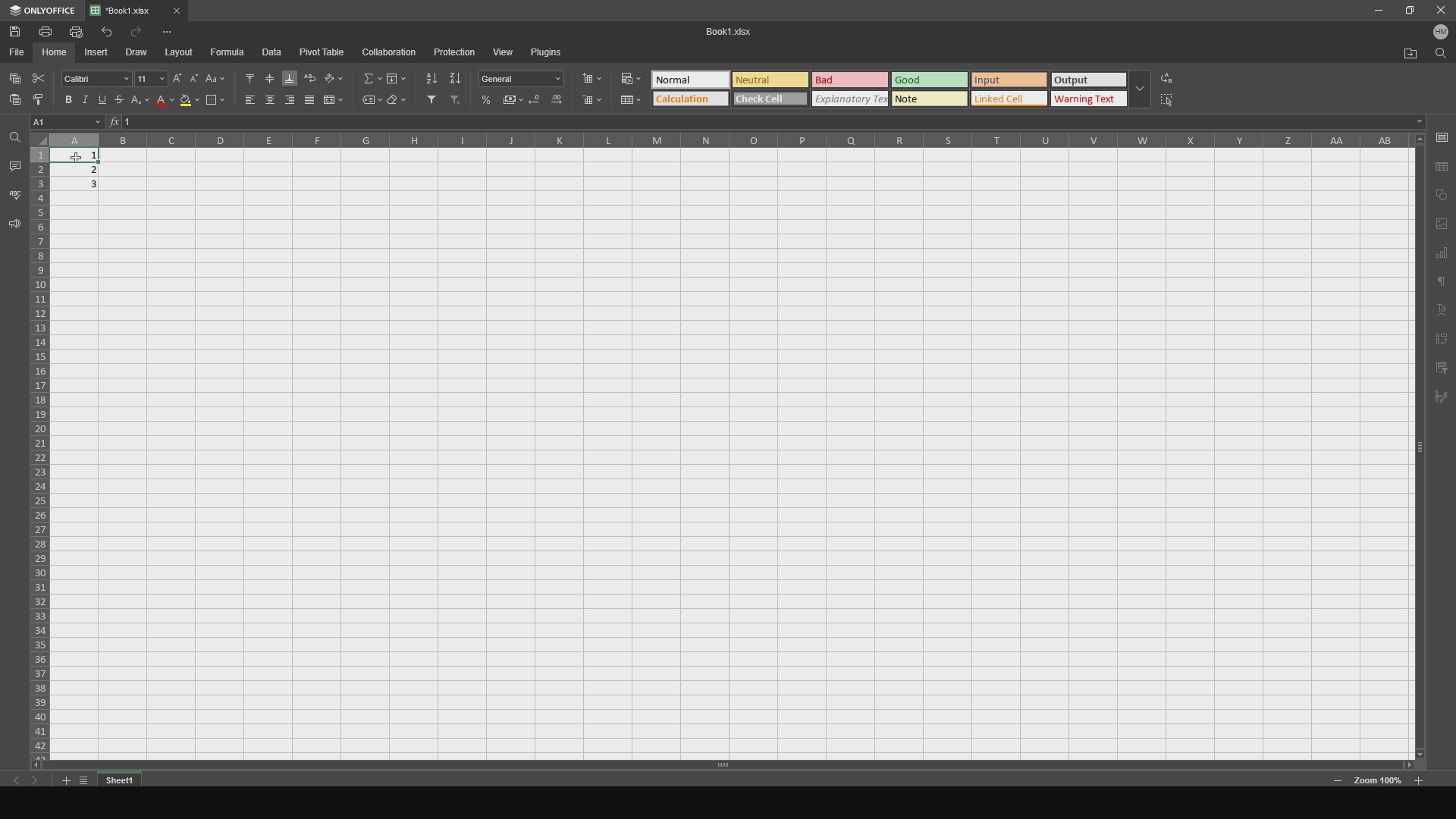  I want to click on , so click(488, 99).